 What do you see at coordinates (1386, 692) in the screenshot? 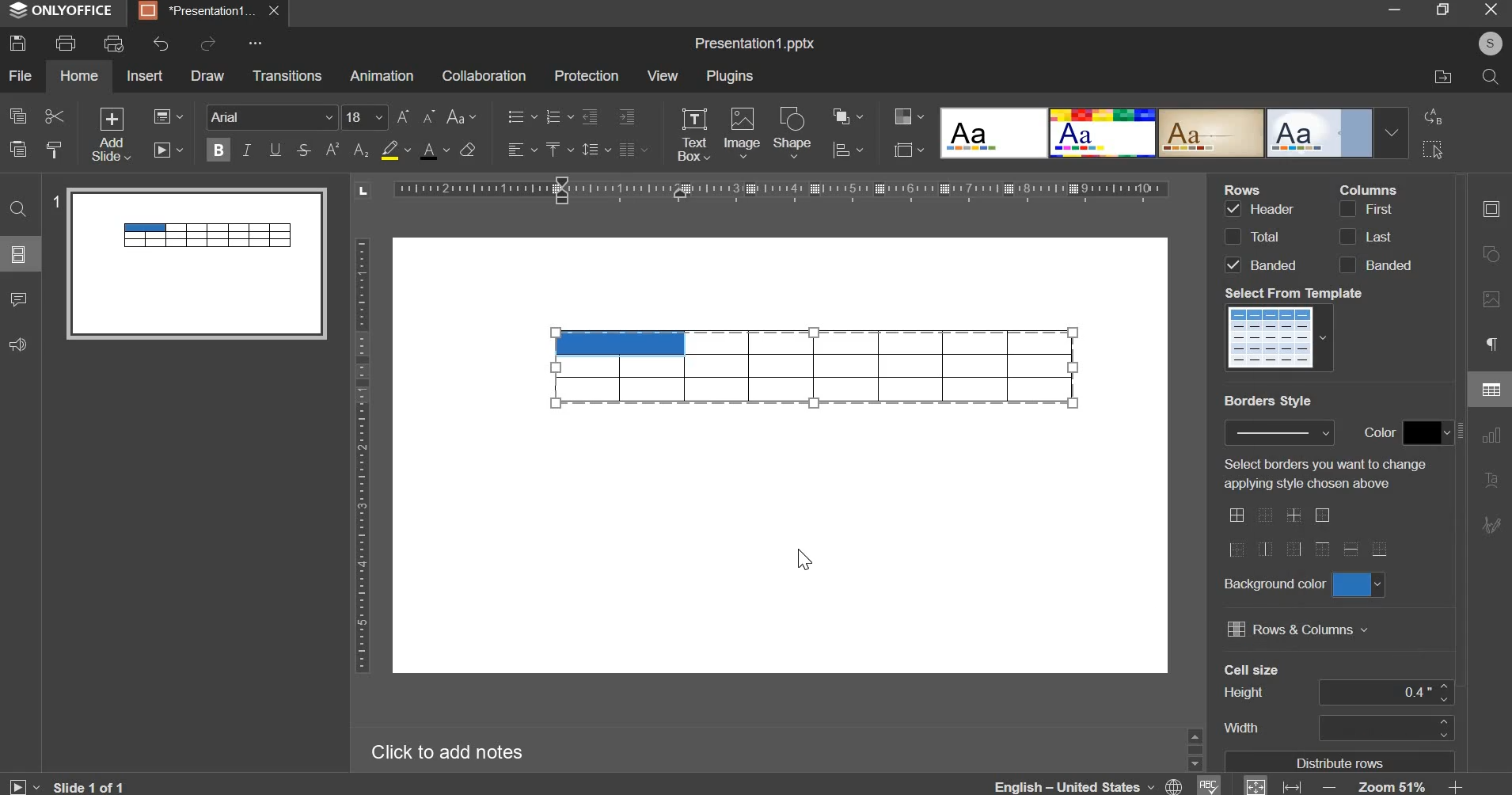
I see `cell size` at bounding box center [1386, 692].